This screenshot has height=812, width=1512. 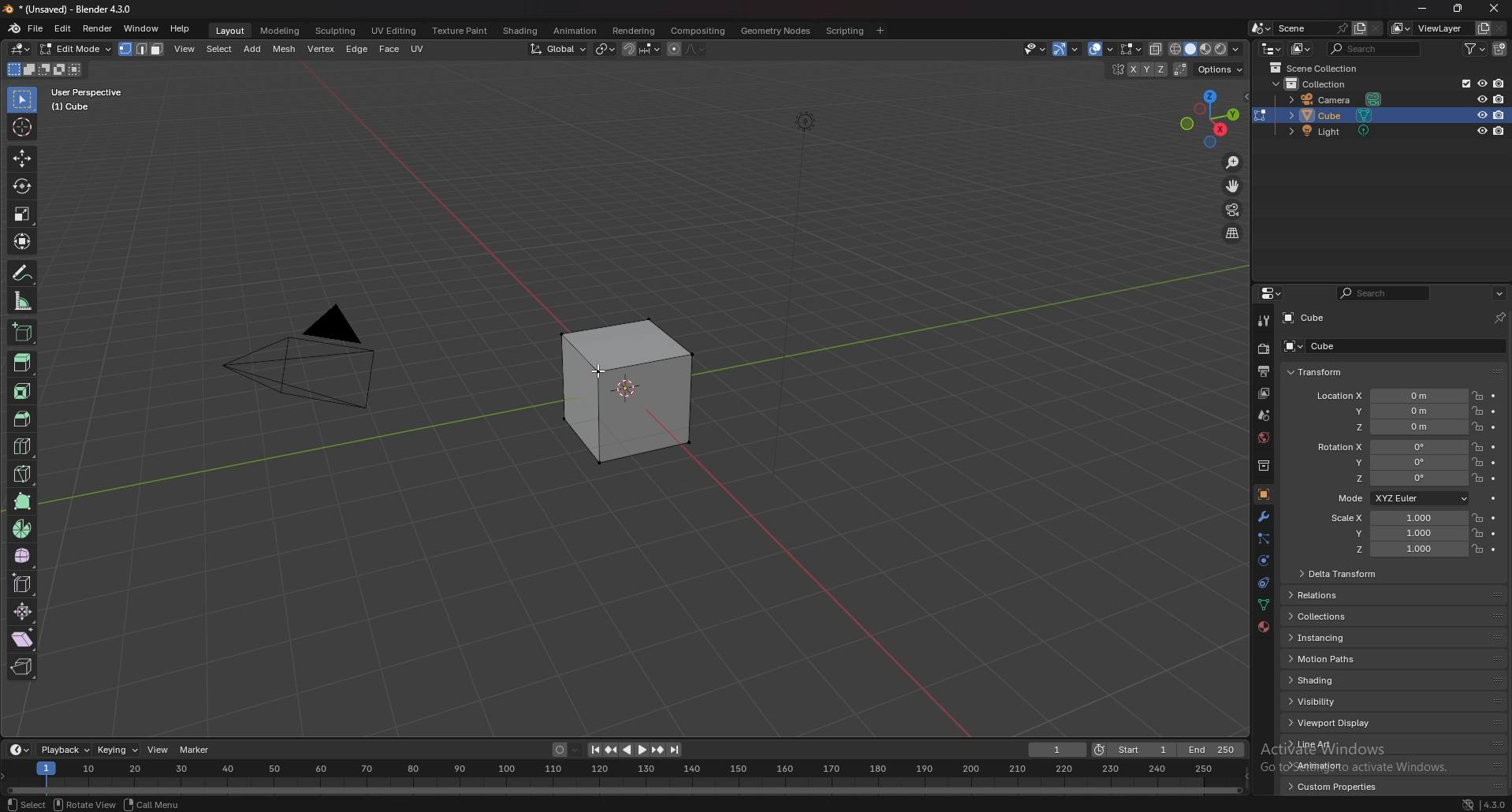 What do you see at coordinates (1190, 49) in the screenshot?
I see `viewport shading` at bounding box center [1190, 49].